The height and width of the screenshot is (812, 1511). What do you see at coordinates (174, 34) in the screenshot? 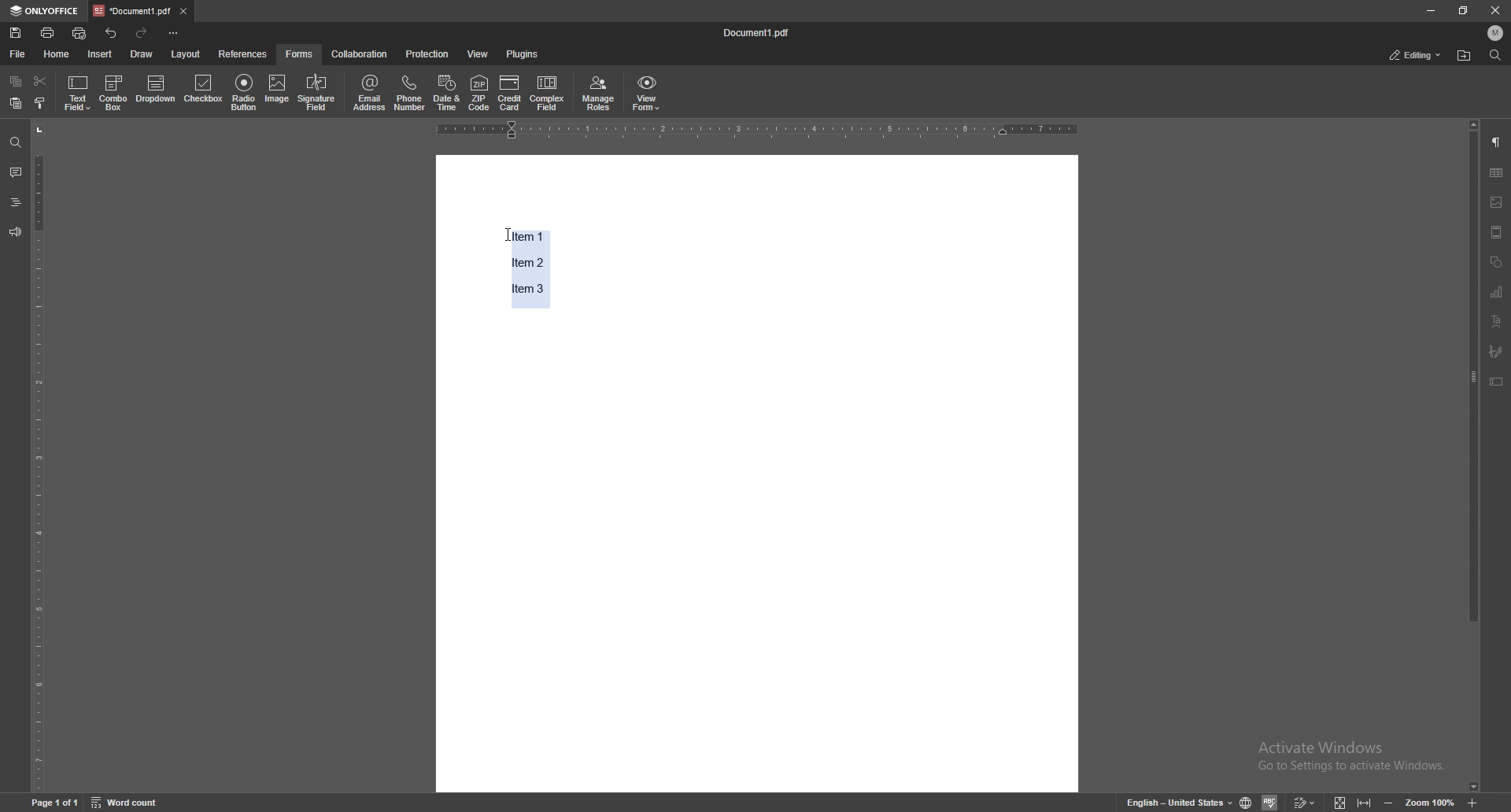
I see `customize toolbar` at bounding box center [174, 34].